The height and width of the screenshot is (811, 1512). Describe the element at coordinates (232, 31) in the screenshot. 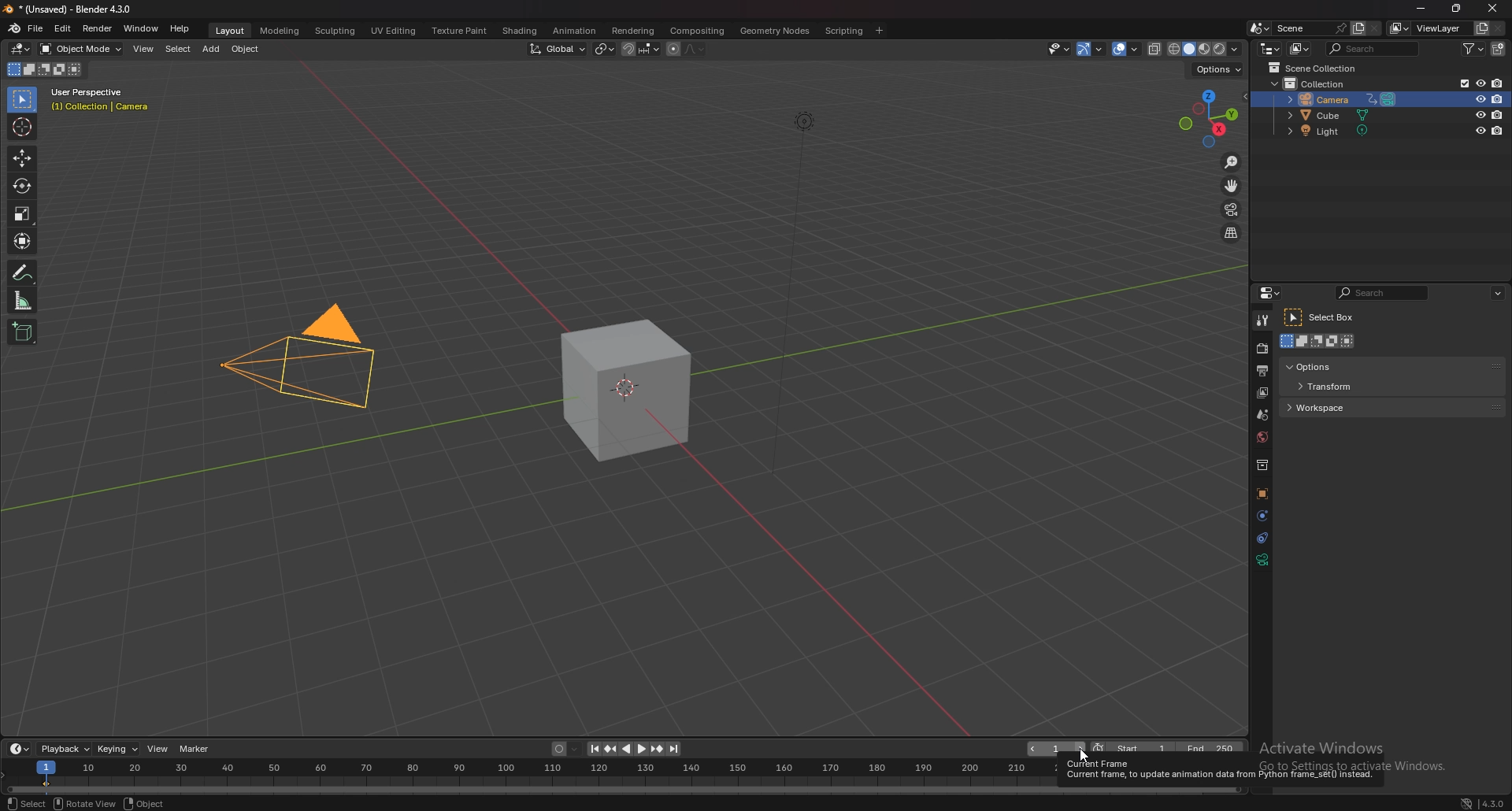

I see `layout` at that location.